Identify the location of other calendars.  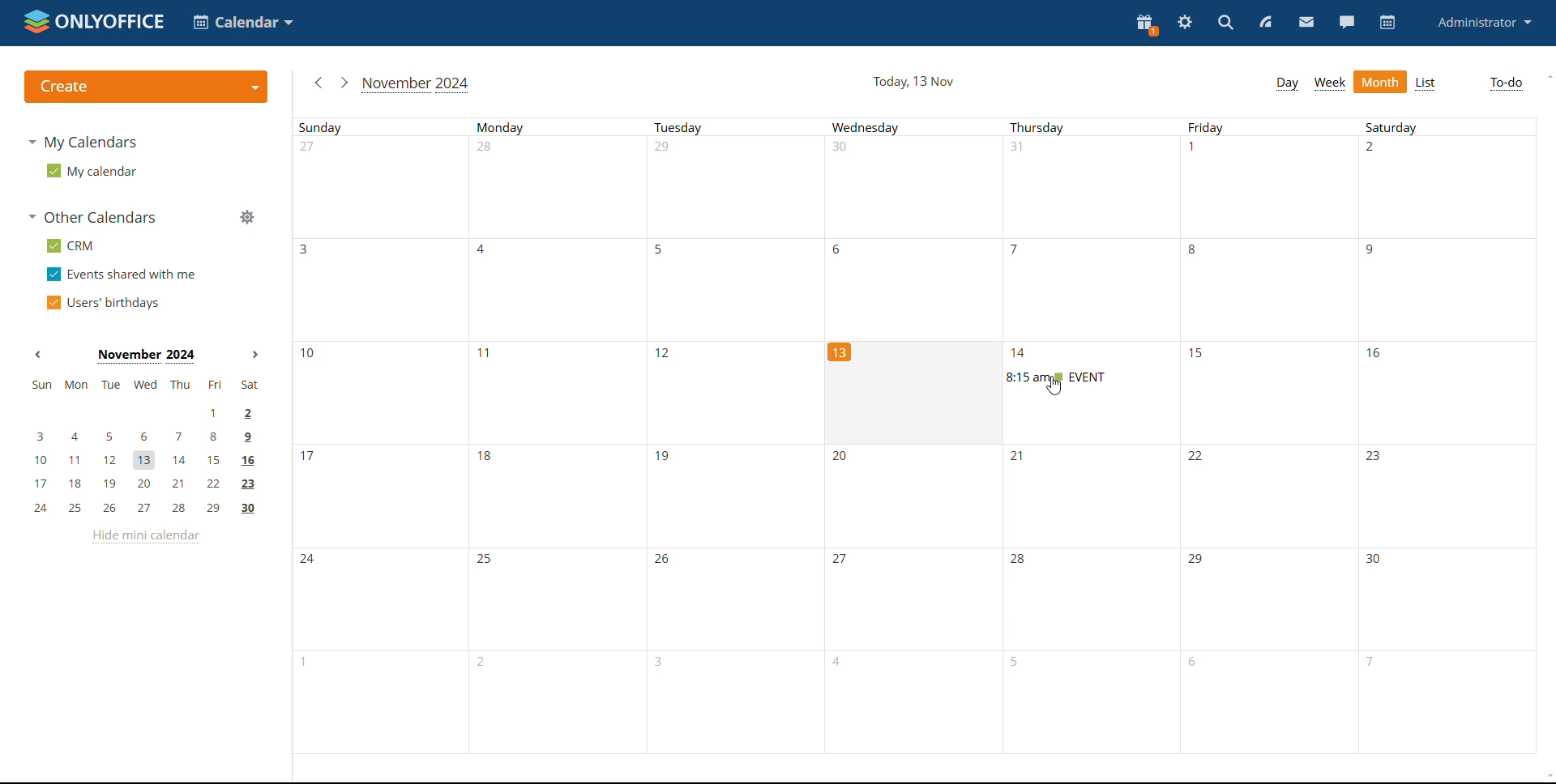
(90, 217).